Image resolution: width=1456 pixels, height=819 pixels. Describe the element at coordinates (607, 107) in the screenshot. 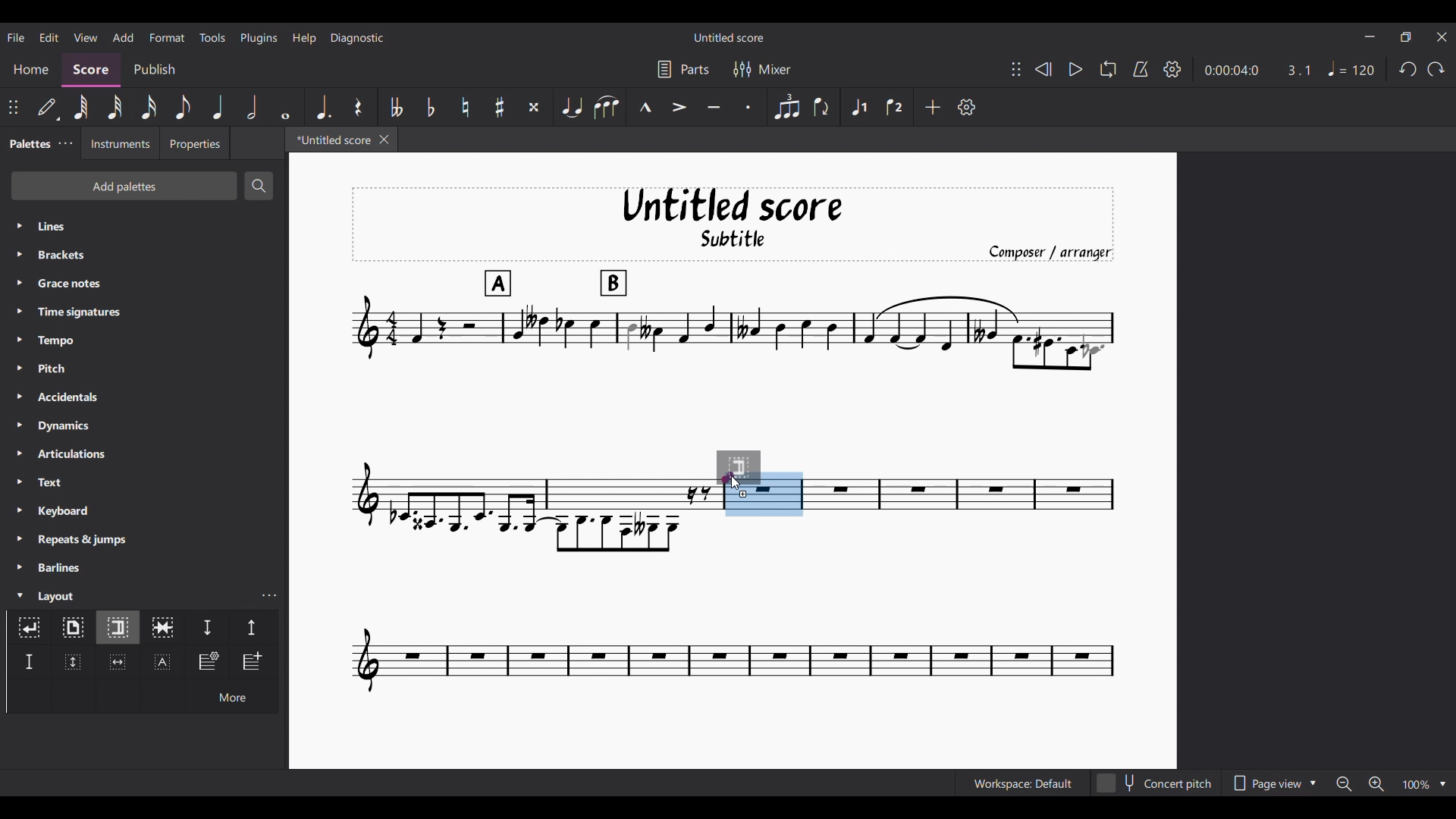

I see `Slur` at that location.